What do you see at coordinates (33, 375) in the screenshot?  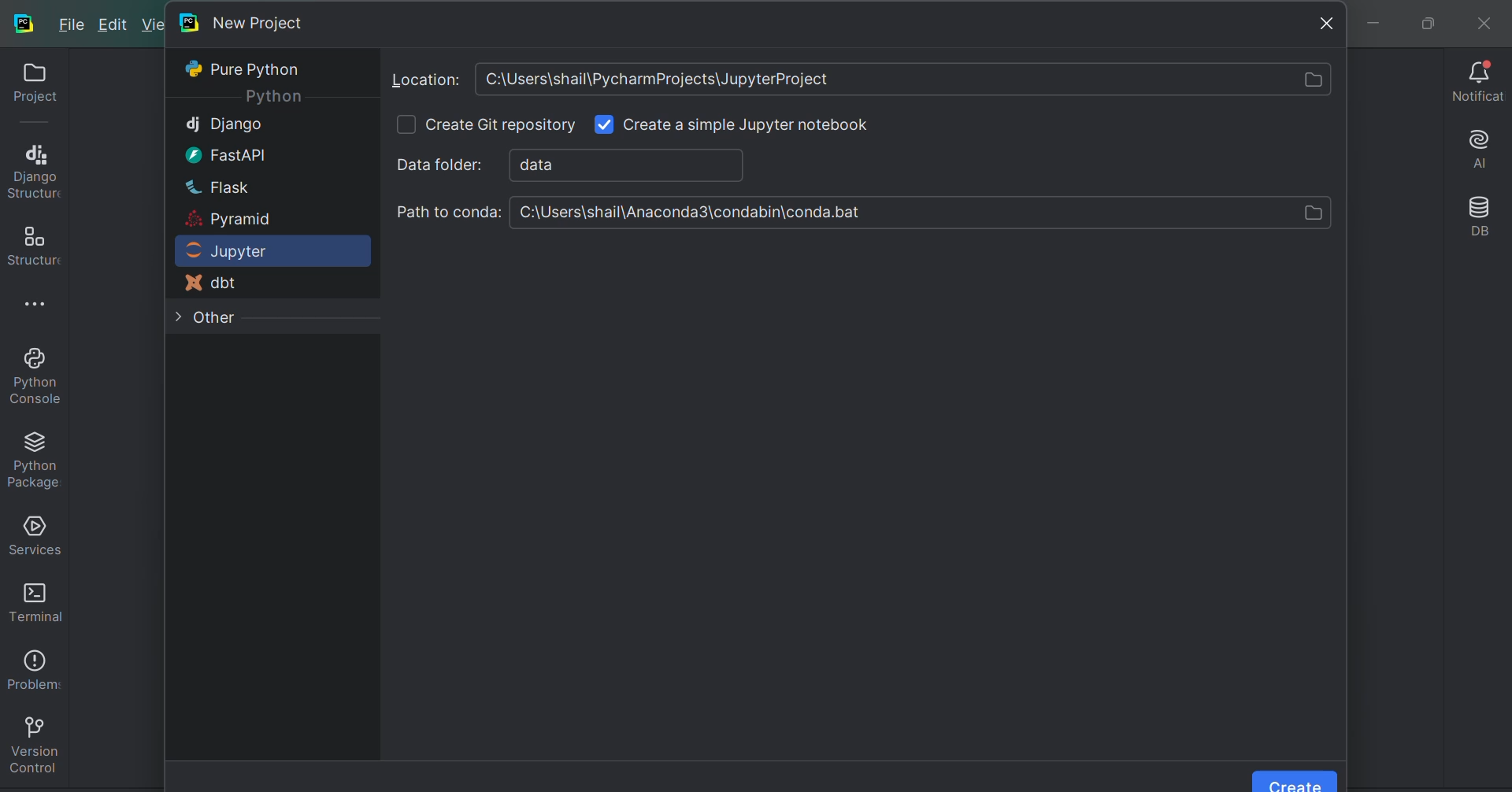 I see `Python console` at bounding box center [33, 375].